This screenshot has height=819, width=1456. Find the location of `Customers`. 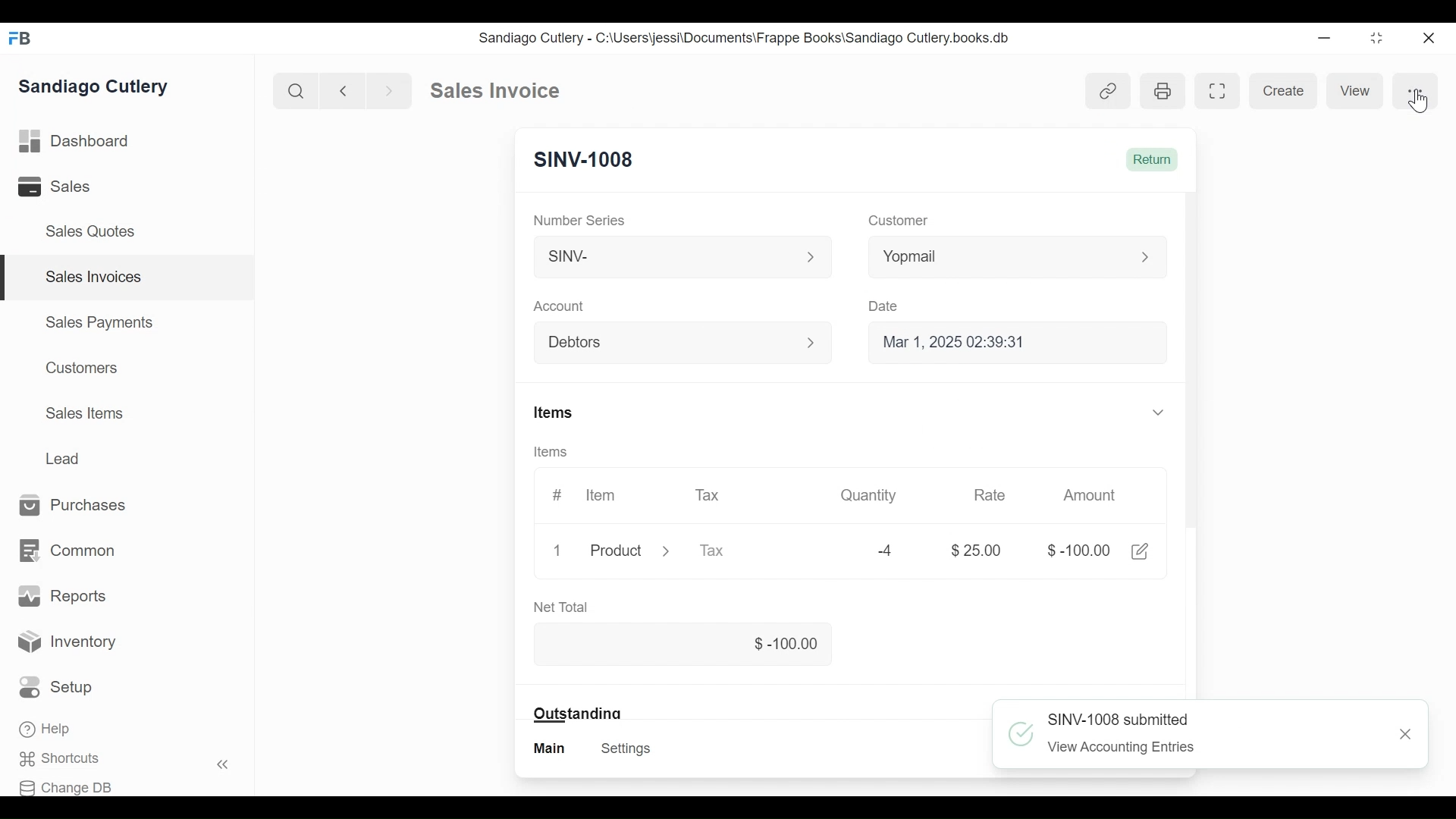

Customers is located at coordinates (83, 367).